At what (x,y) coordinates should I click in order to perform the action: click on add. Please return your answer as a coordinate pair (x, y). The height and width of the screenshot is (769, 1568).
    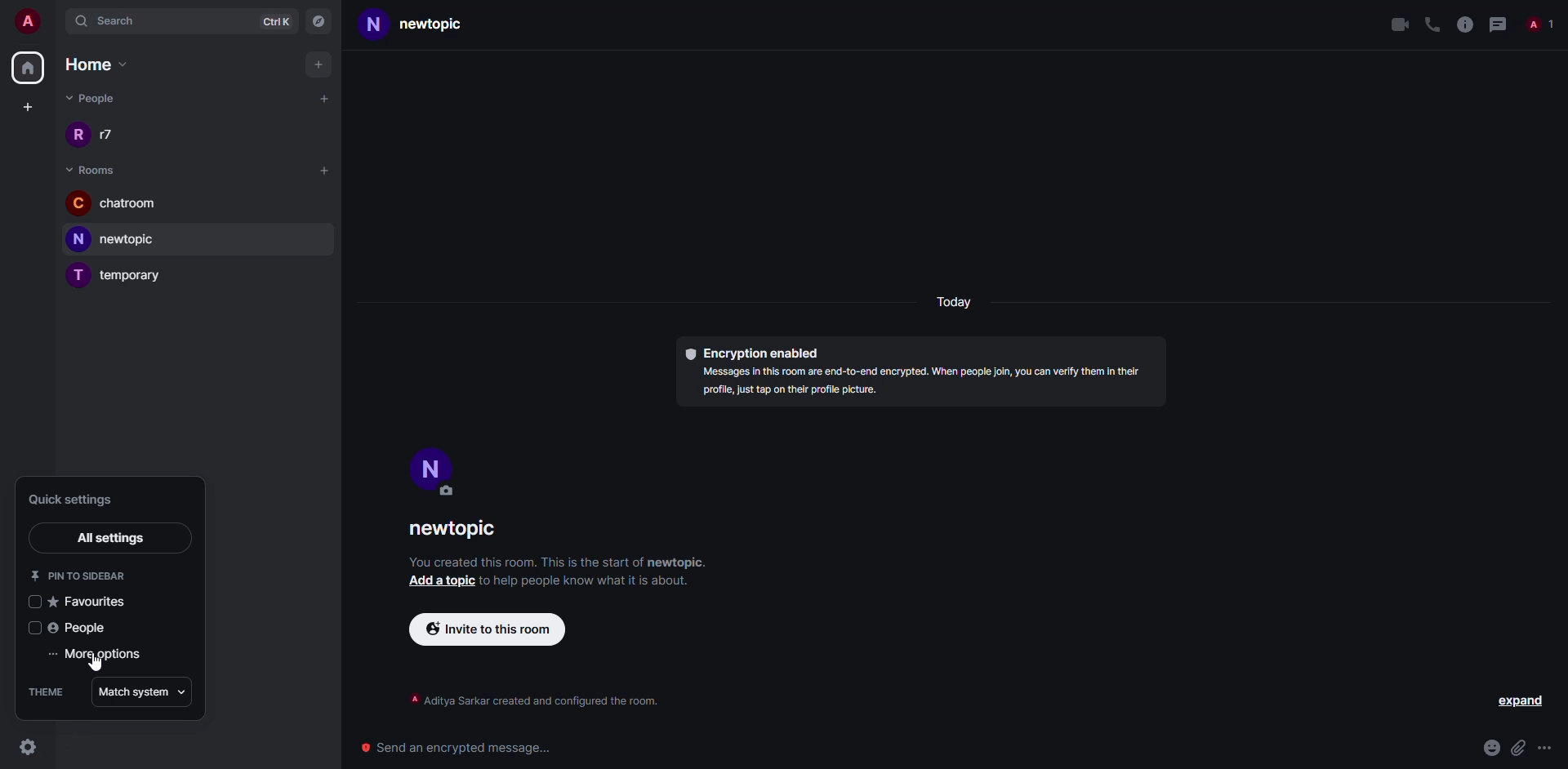
    Looking at the image, I should click on (325, 96).